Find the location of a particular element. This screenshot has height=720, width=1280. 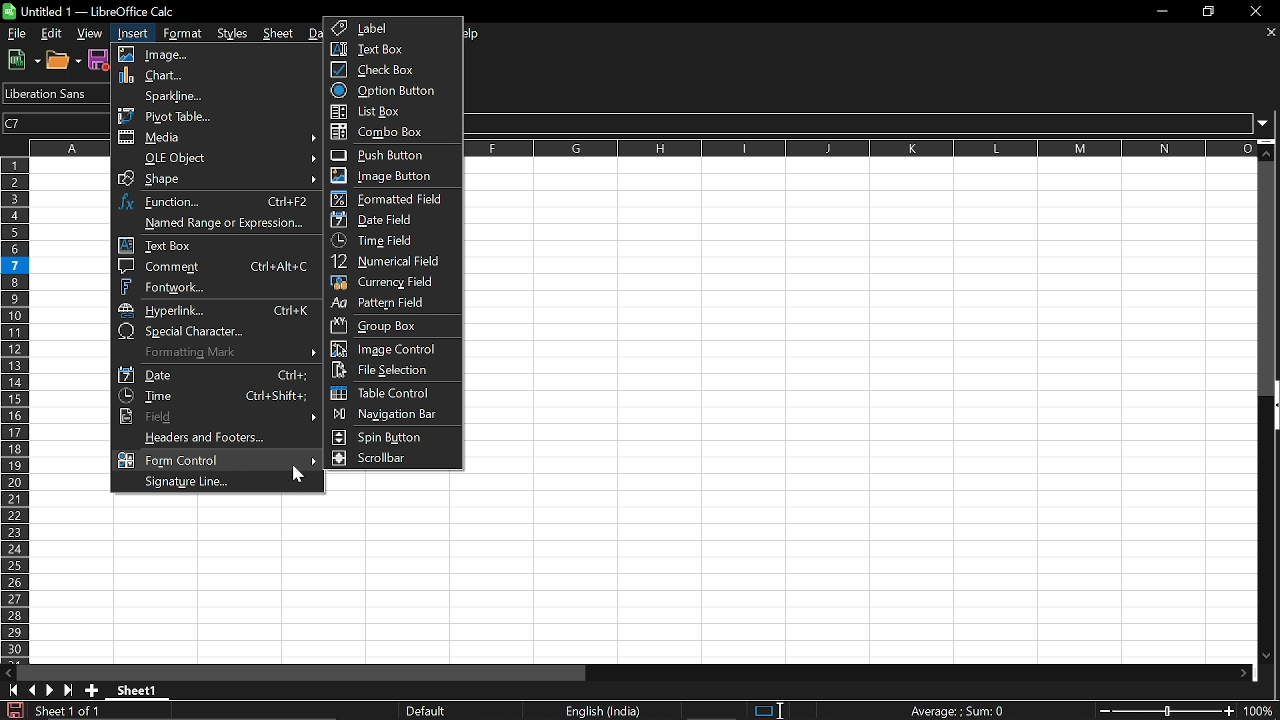

Push button is located at coordinates (389, 155).